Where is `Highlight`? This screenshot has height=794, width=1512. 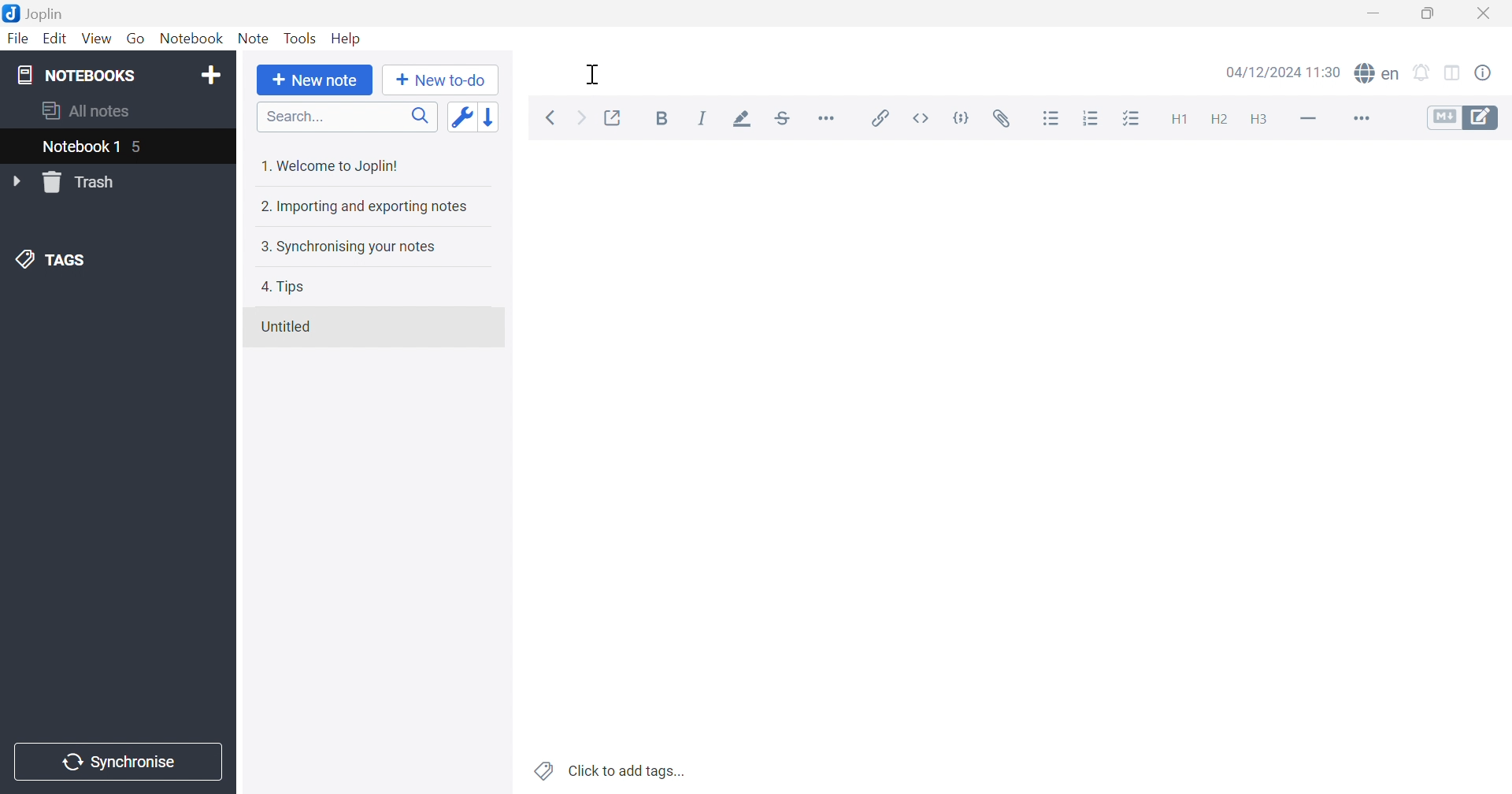
Highlight is located at coordinates (746, 119).